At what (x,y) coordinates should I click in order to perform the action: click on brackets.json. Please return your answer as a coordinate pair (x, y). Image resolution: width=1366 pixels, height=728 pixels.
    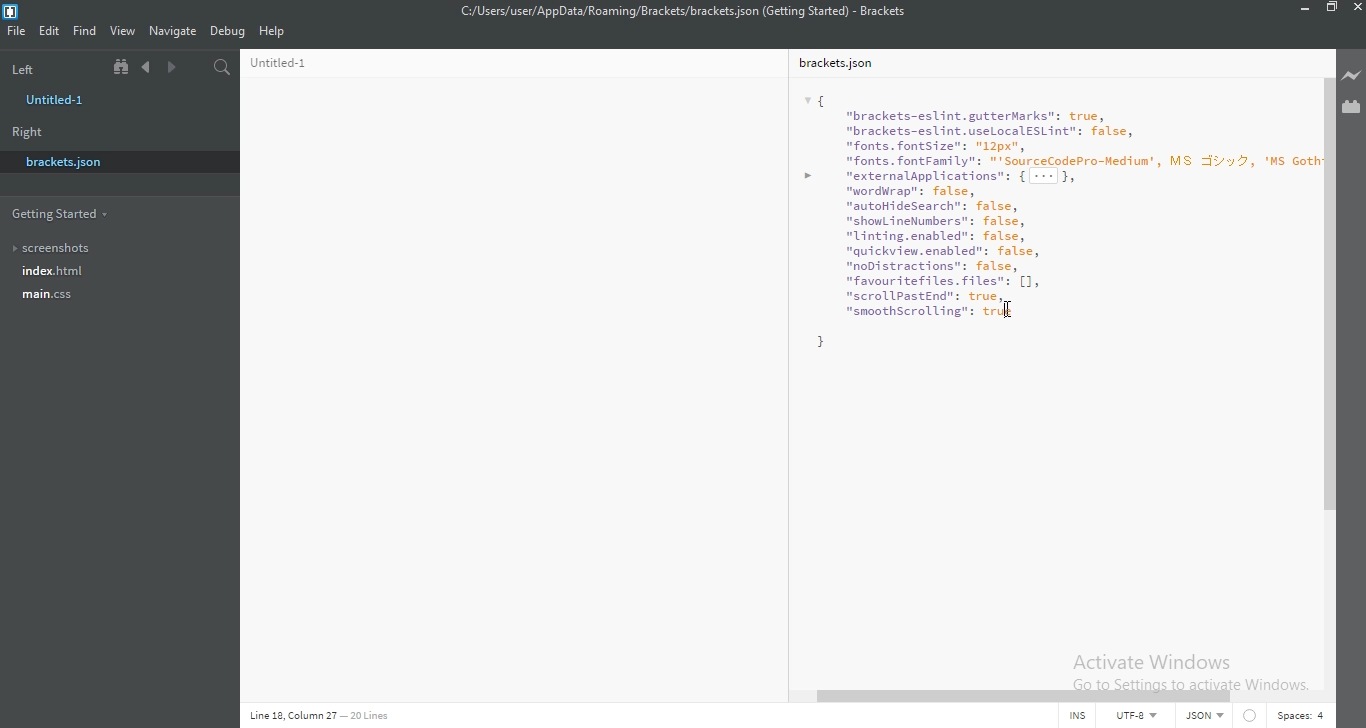
    Looking at the image, I should click on (102, 162).